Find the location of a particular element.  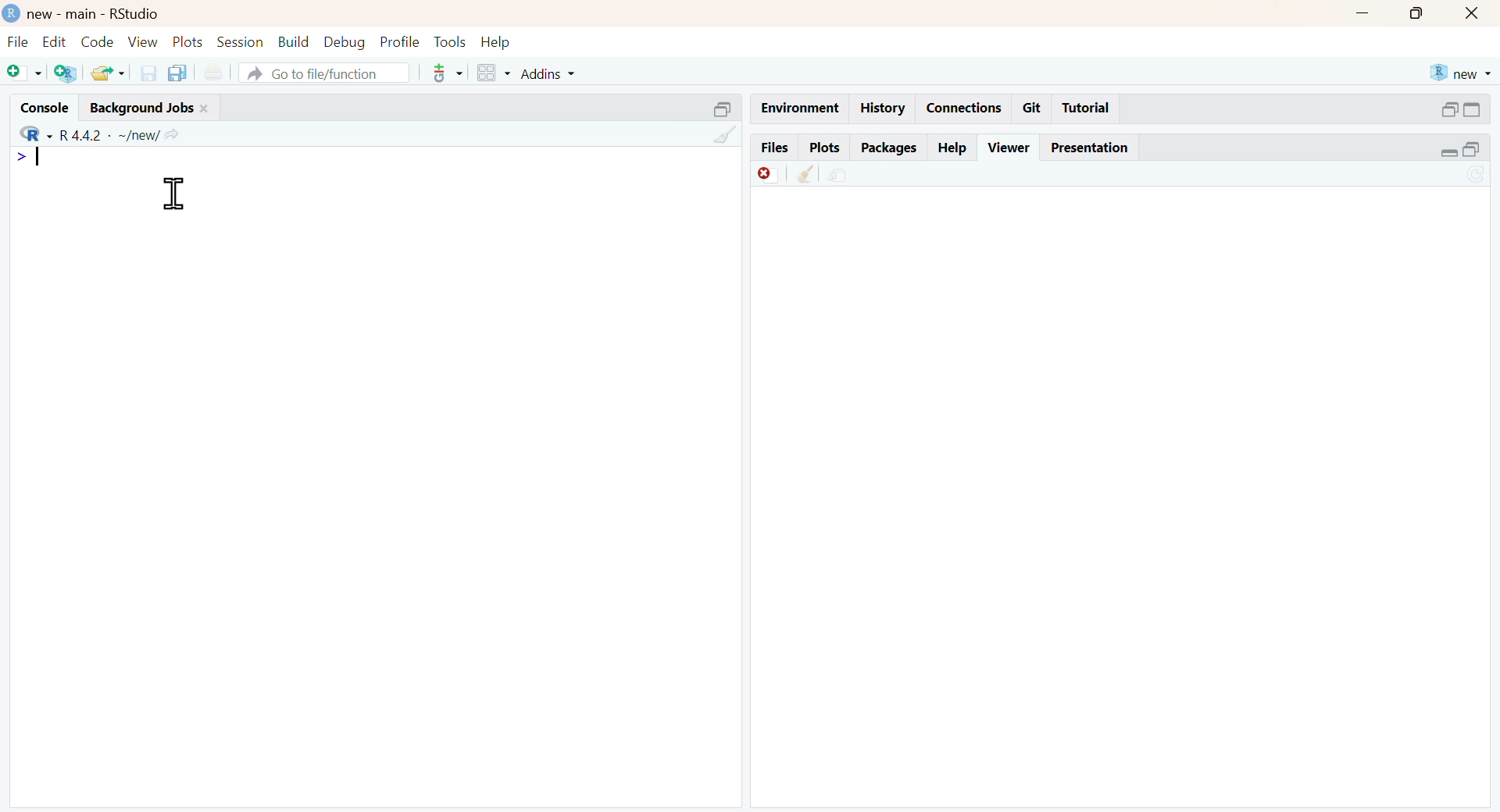

help is located at coordinates (495, 44).